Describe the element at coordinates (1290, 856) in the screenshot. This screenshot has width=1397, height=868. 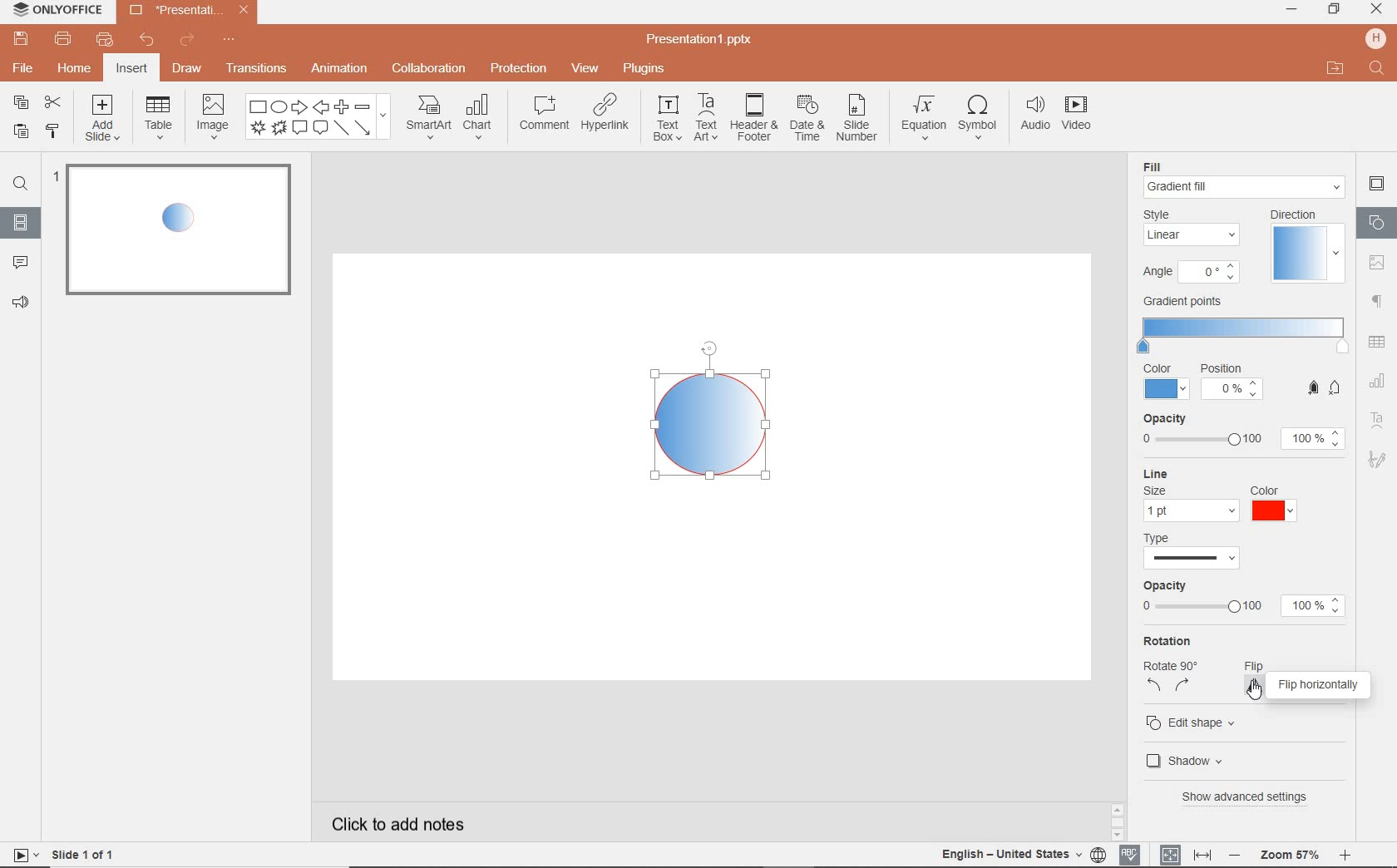
I see `zoom` at that location.